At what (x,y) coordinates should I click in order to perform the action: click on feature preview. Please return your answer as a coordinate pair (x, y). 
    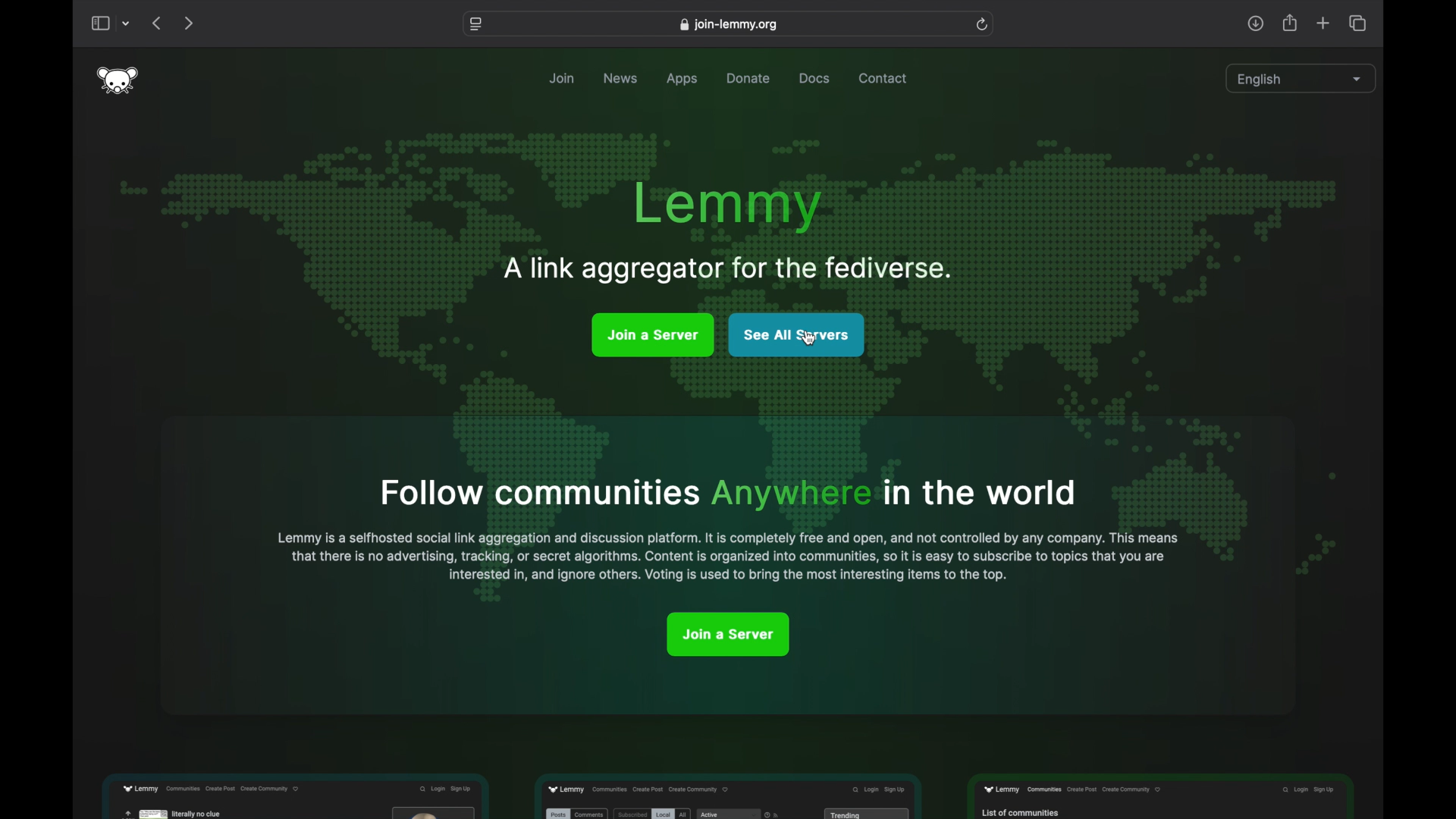
    Looking at the image, I should click on (731, 795).